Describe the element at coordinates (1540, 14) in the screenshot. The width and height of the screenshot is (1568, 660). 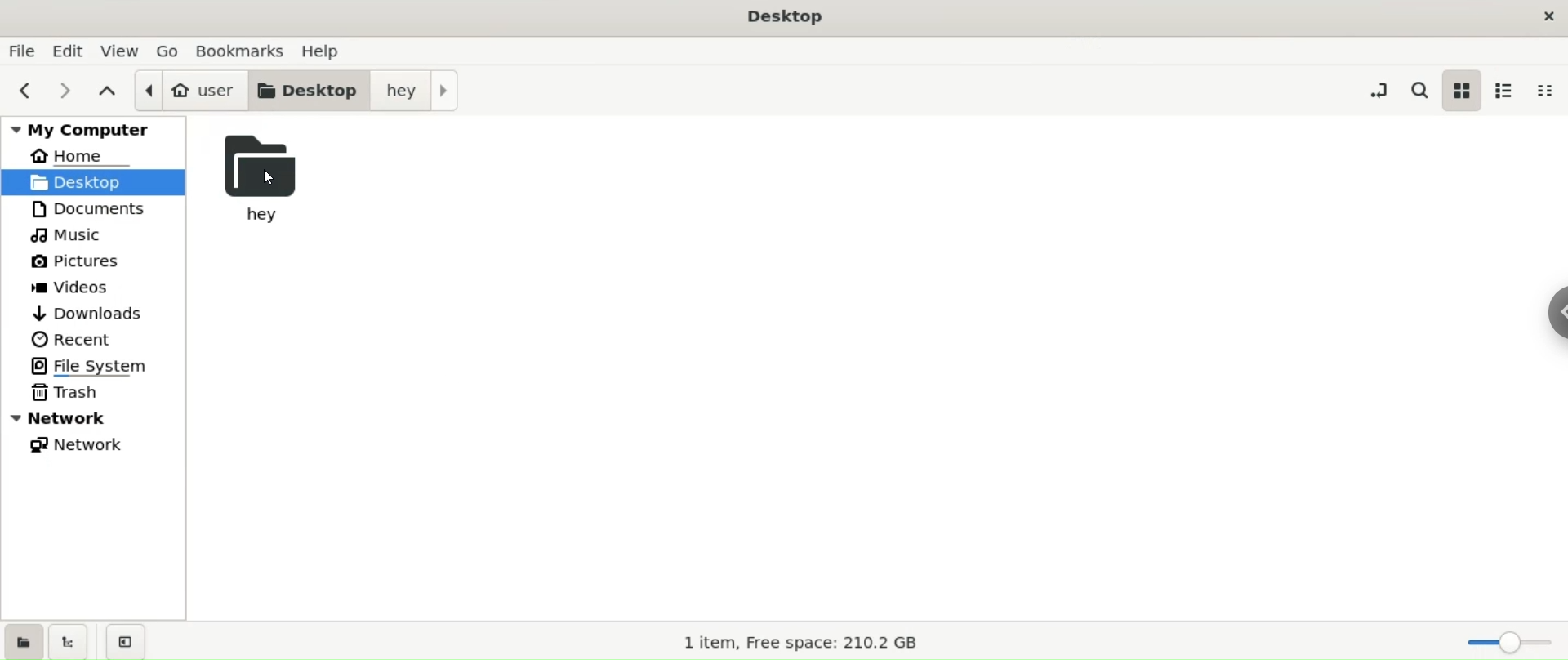
I see `close` at that location.